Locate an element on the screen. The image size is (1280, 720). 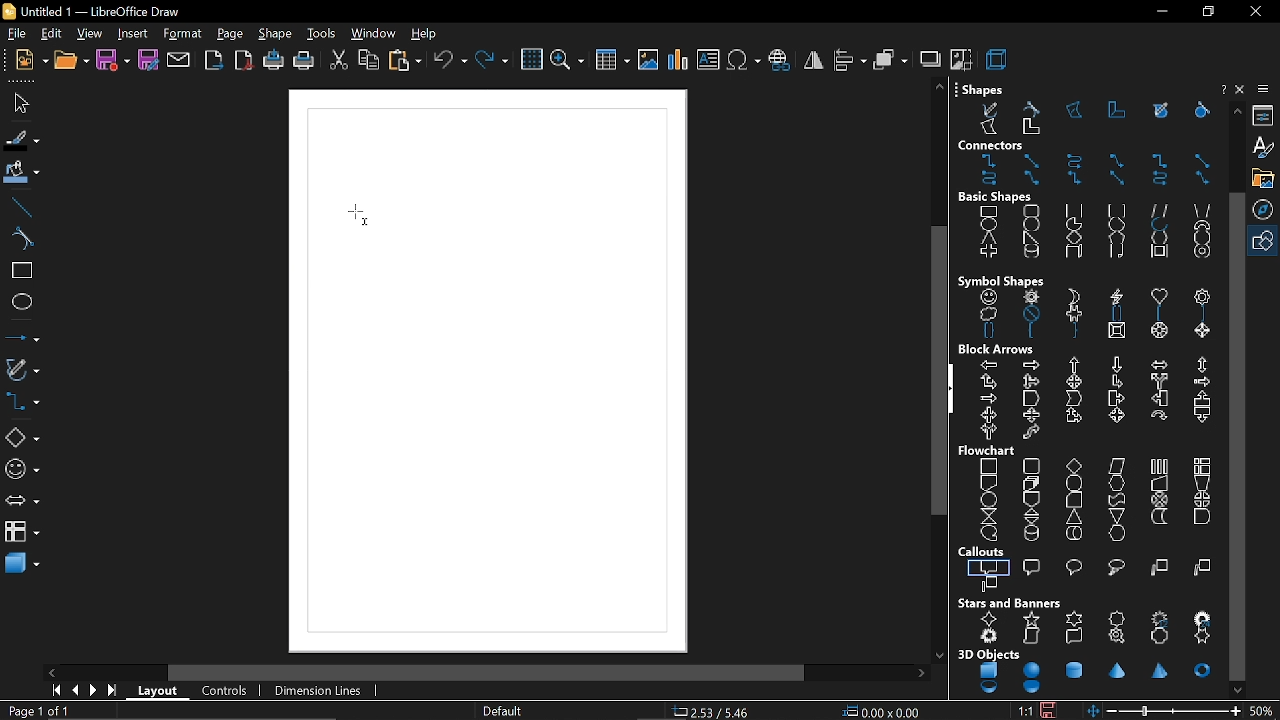
folded corner is located at coordinates (1114, 253).